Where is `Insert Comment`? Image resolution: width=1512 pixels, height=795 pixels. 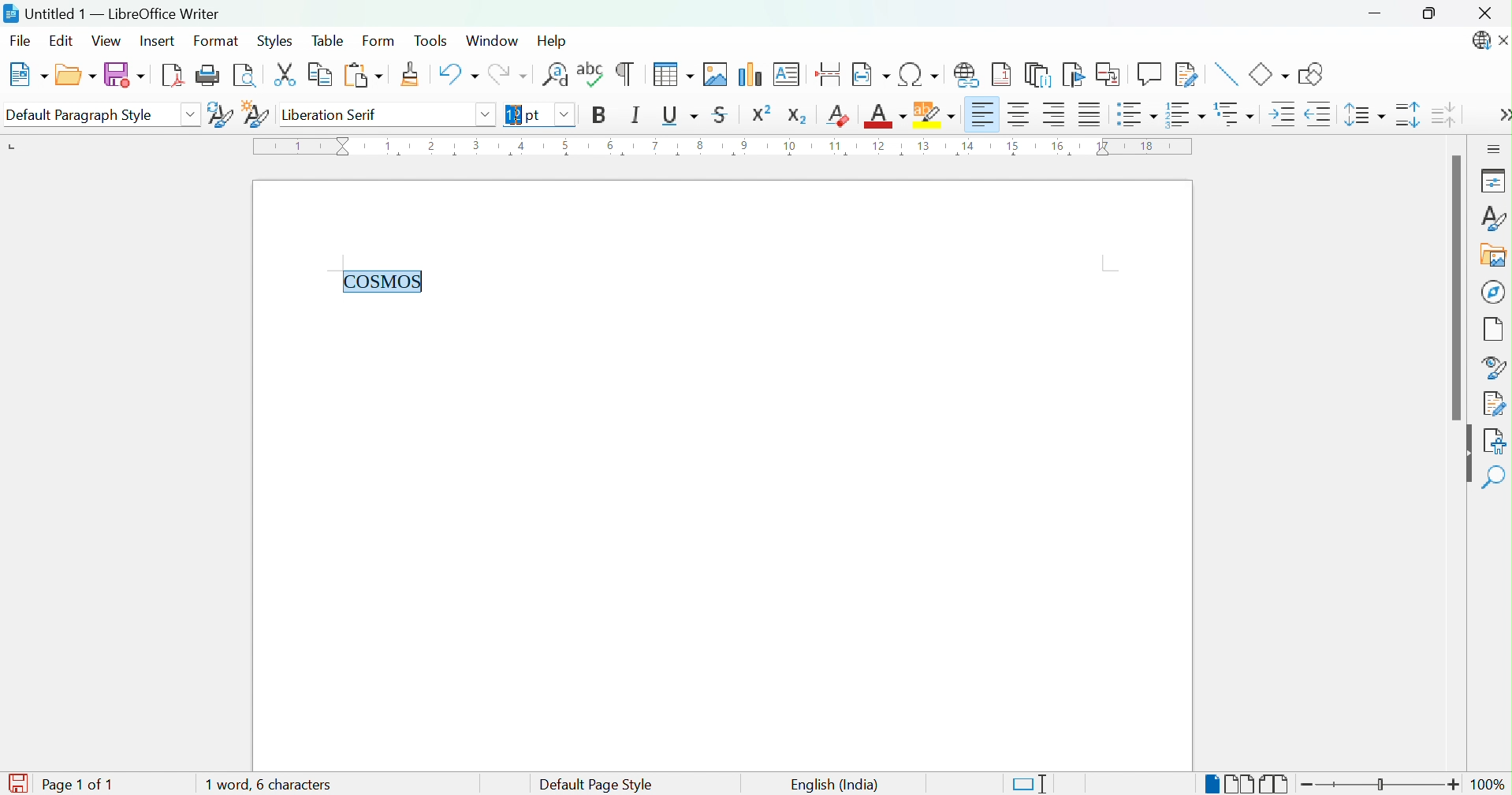
Insert Comment is located at coordinates (1149, 74).